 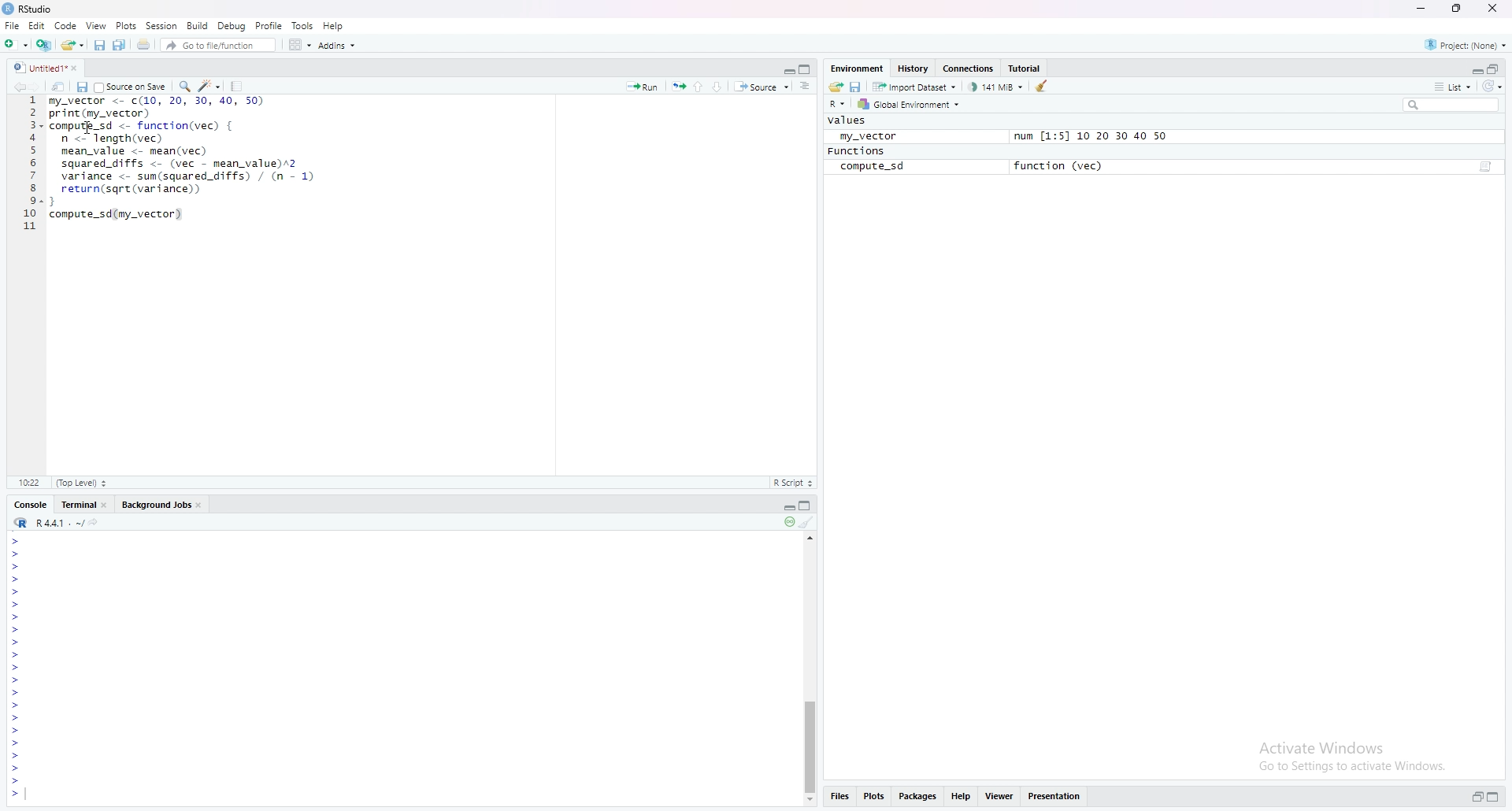 What do you see at coordinates (269, 25) in the screenshot?
I see `Profile` at bounding box center [269, 25].